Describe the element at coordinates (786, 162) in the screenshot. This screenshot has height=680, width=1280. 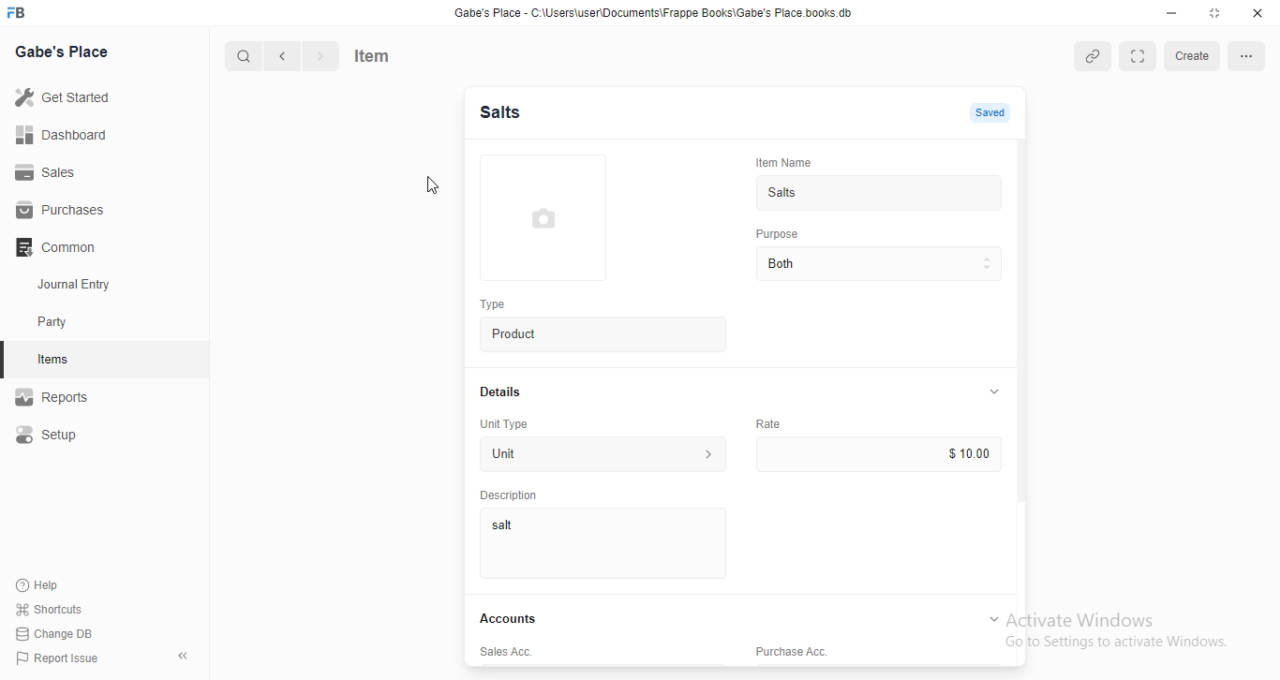
I see `Item Name` at that location.